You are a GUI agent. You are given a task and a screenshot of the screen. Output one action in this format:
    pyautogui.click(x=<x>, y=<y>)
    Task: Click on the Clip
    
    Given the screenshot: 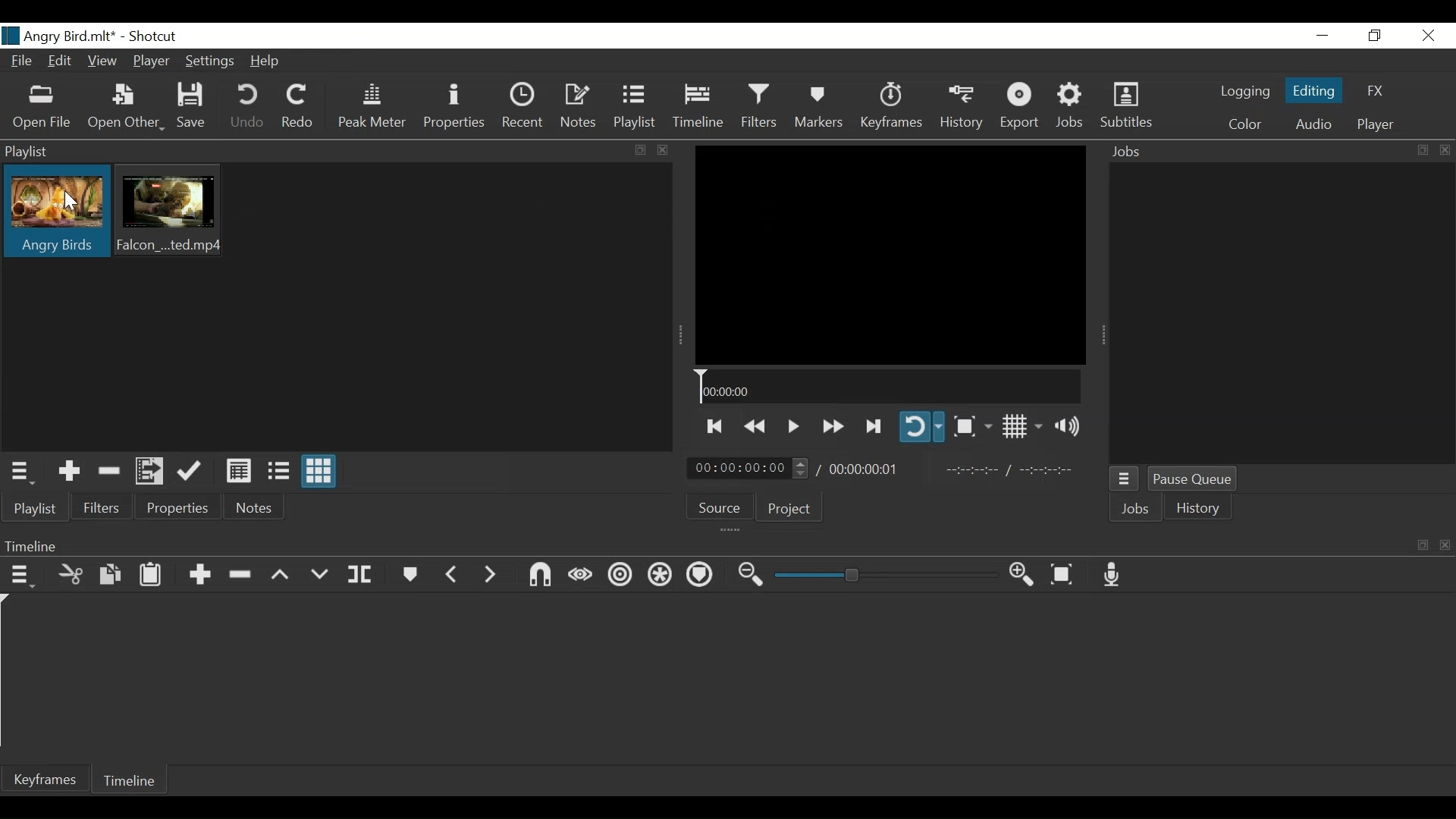 What is the action you would take?
    pyautogui.click(x=56, y=213)
    